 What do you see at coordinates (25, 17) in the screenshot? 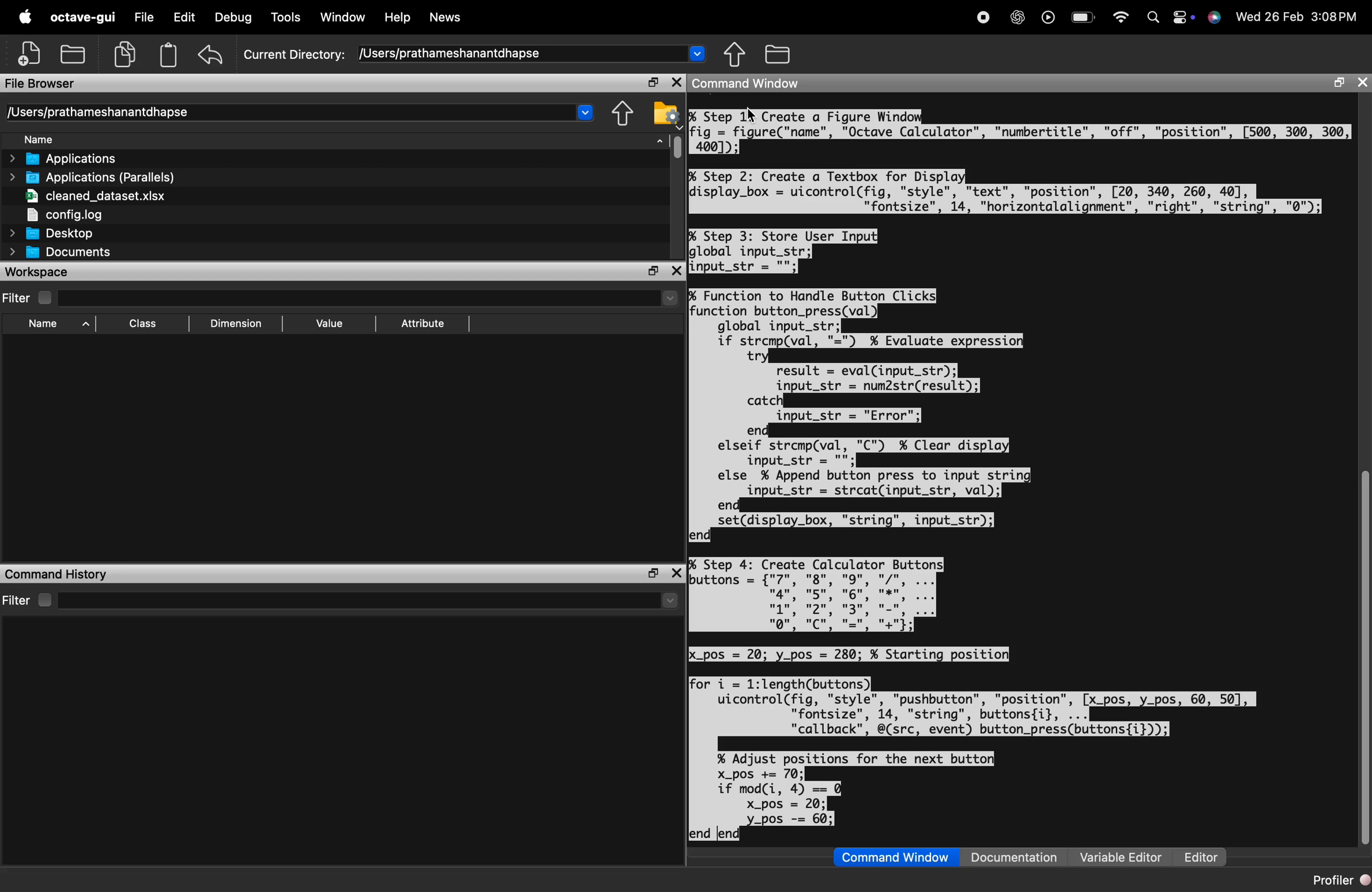
I see `apple` at bounding box center [25, 17].